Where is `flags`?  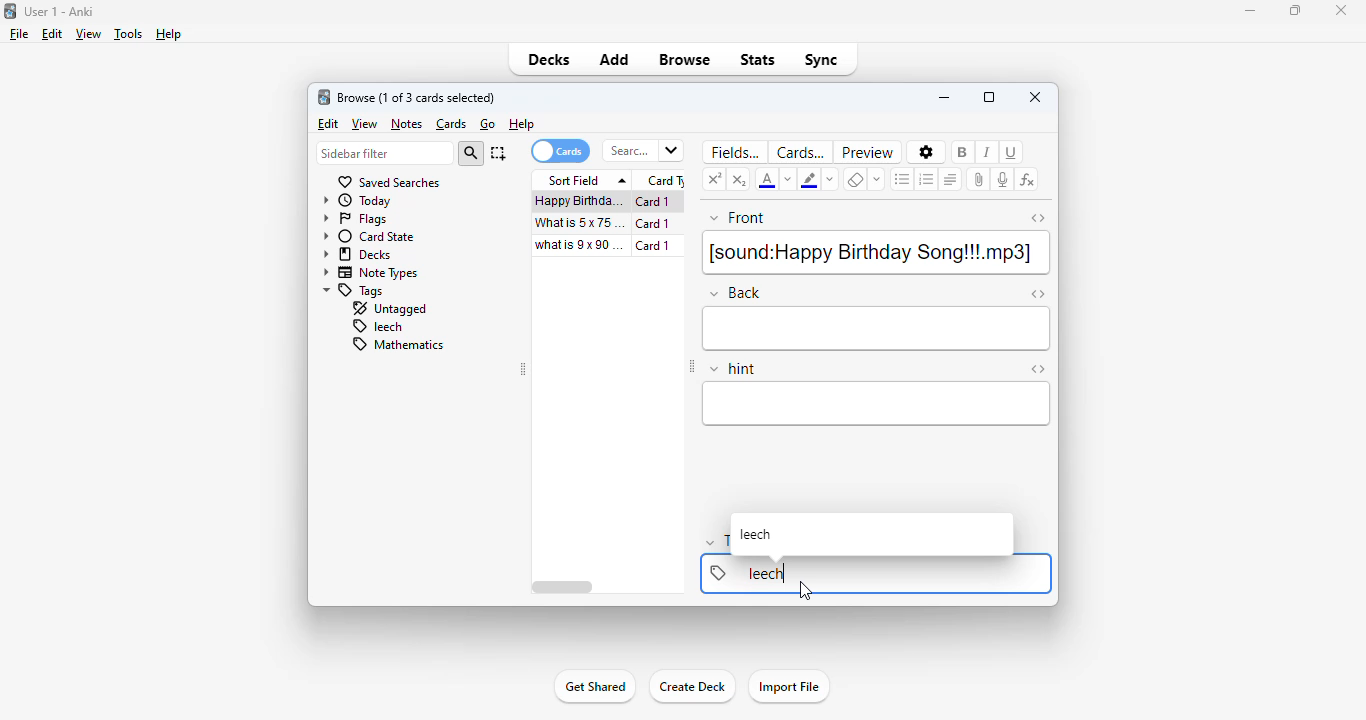 flags is located at coordinates (355, 220).